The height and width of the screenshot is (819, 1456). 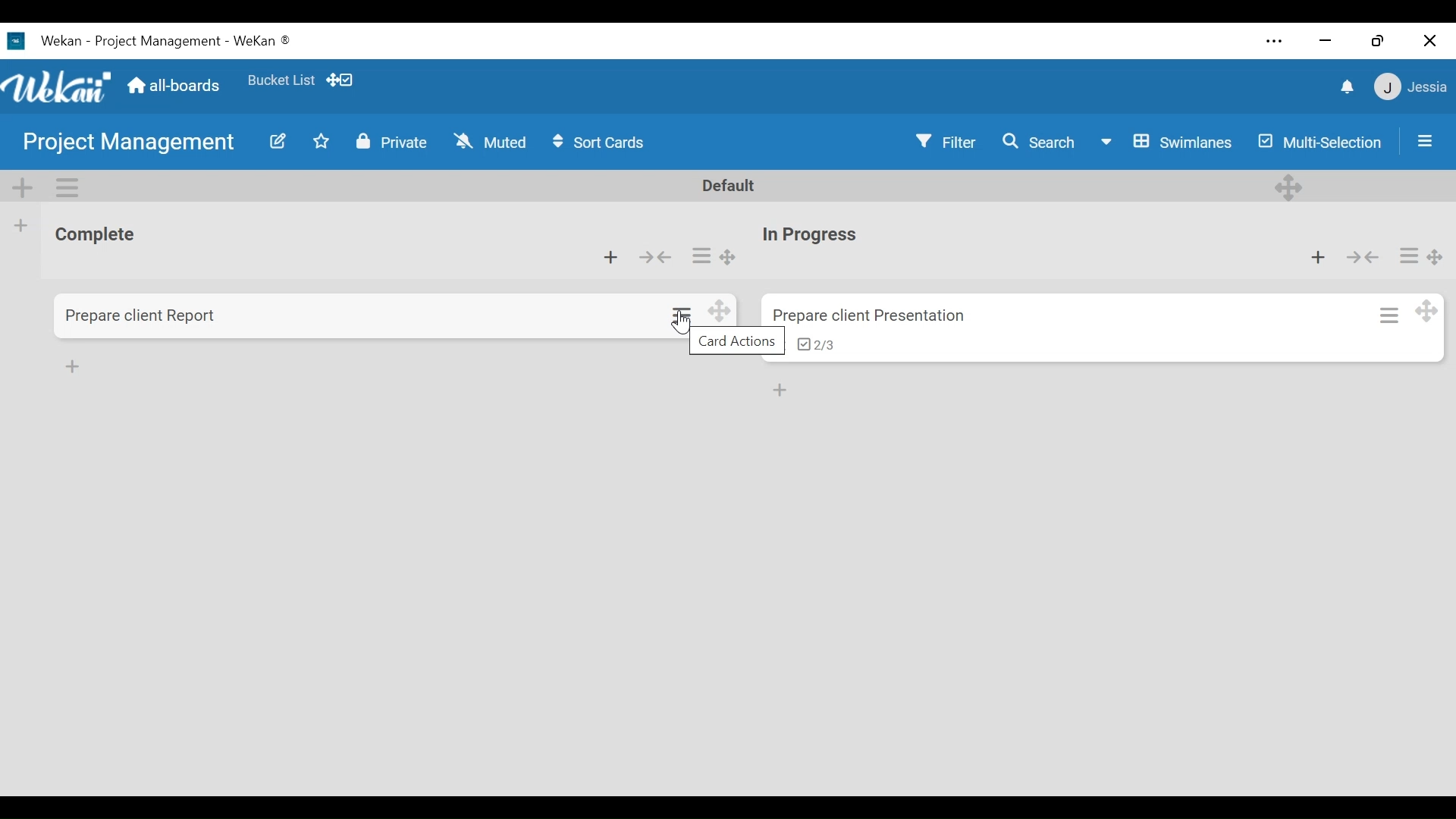 I want to click on Add card to bottom of the list, so click(x=74, y=366).